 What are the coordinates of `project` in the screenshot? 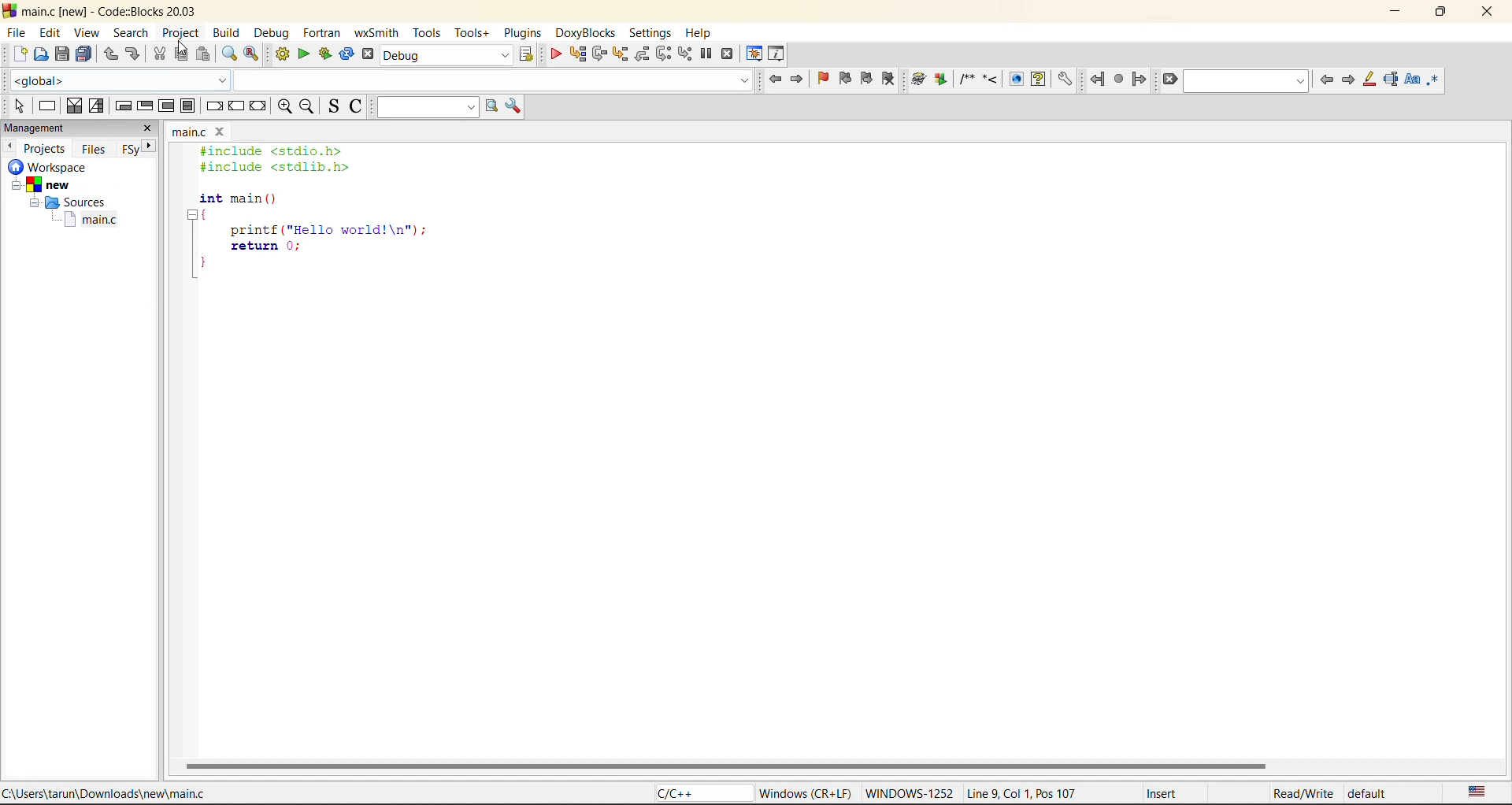 It's located at (180, 34).